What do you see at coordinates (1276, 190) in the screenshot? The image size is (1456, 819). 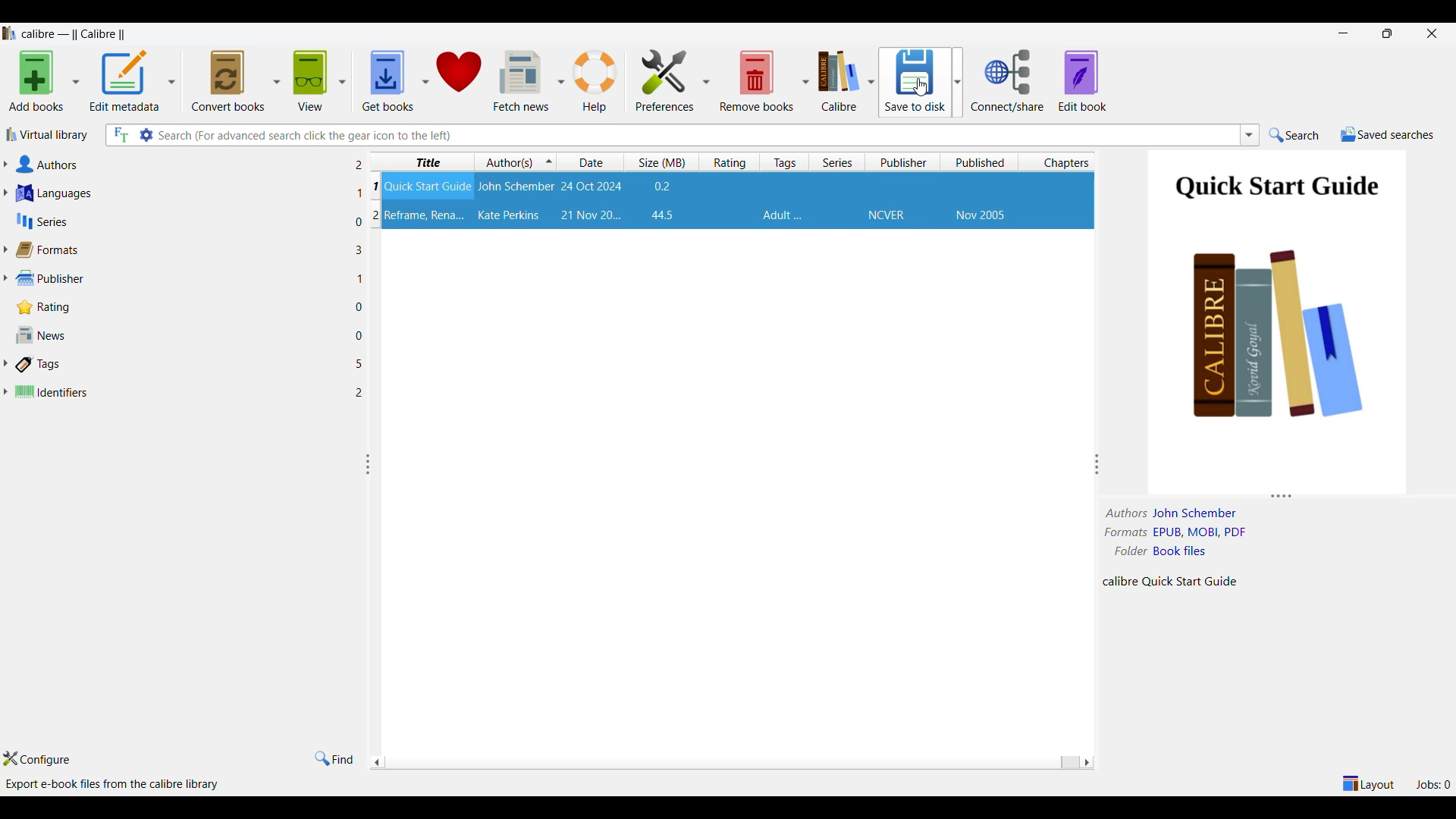 I see `Quick Start Guide` at bounding box center [1276, 190].